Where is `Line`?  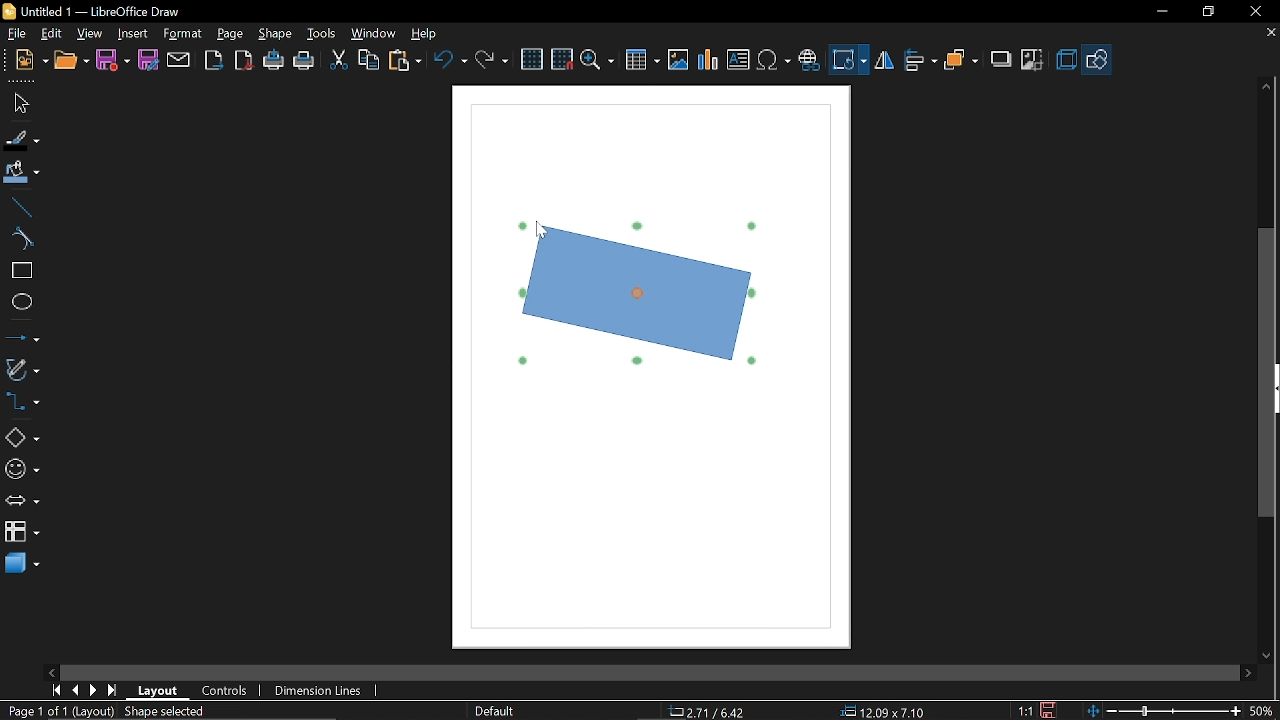 Line is located at coordinates (20, 207).